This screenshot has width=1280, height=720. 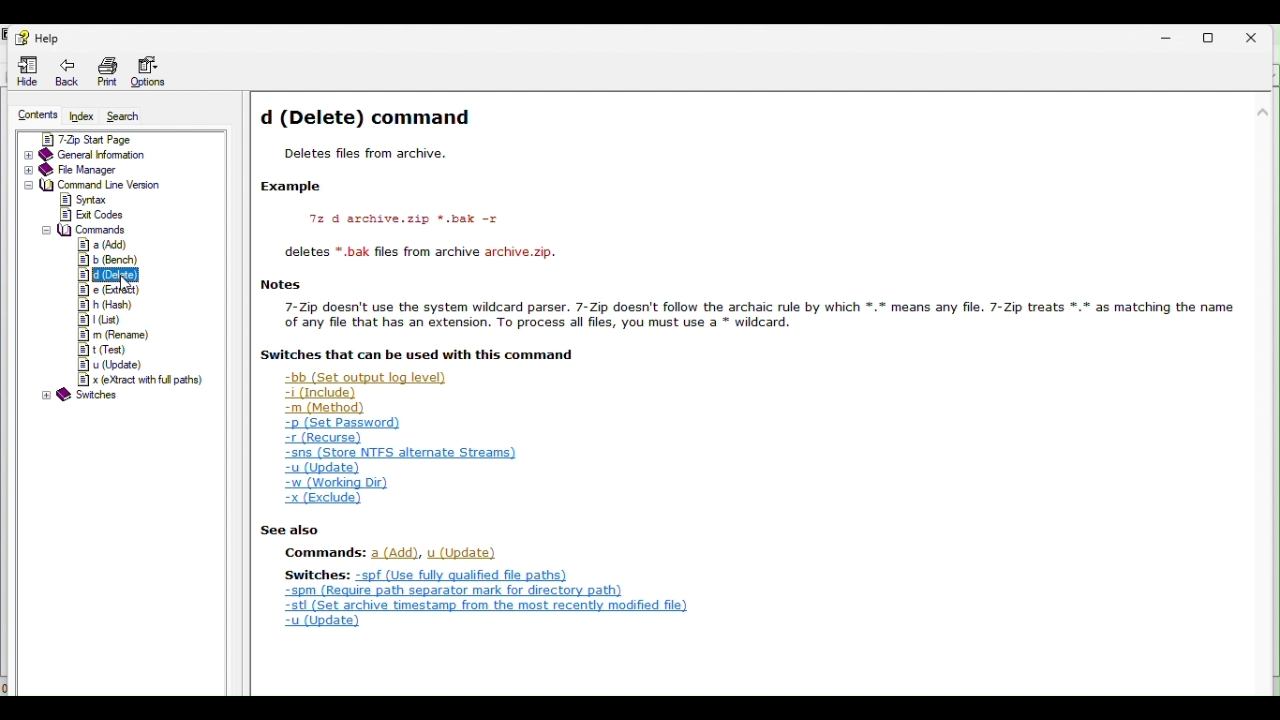 I want to click on Switches:, so click(x=307, y=575).